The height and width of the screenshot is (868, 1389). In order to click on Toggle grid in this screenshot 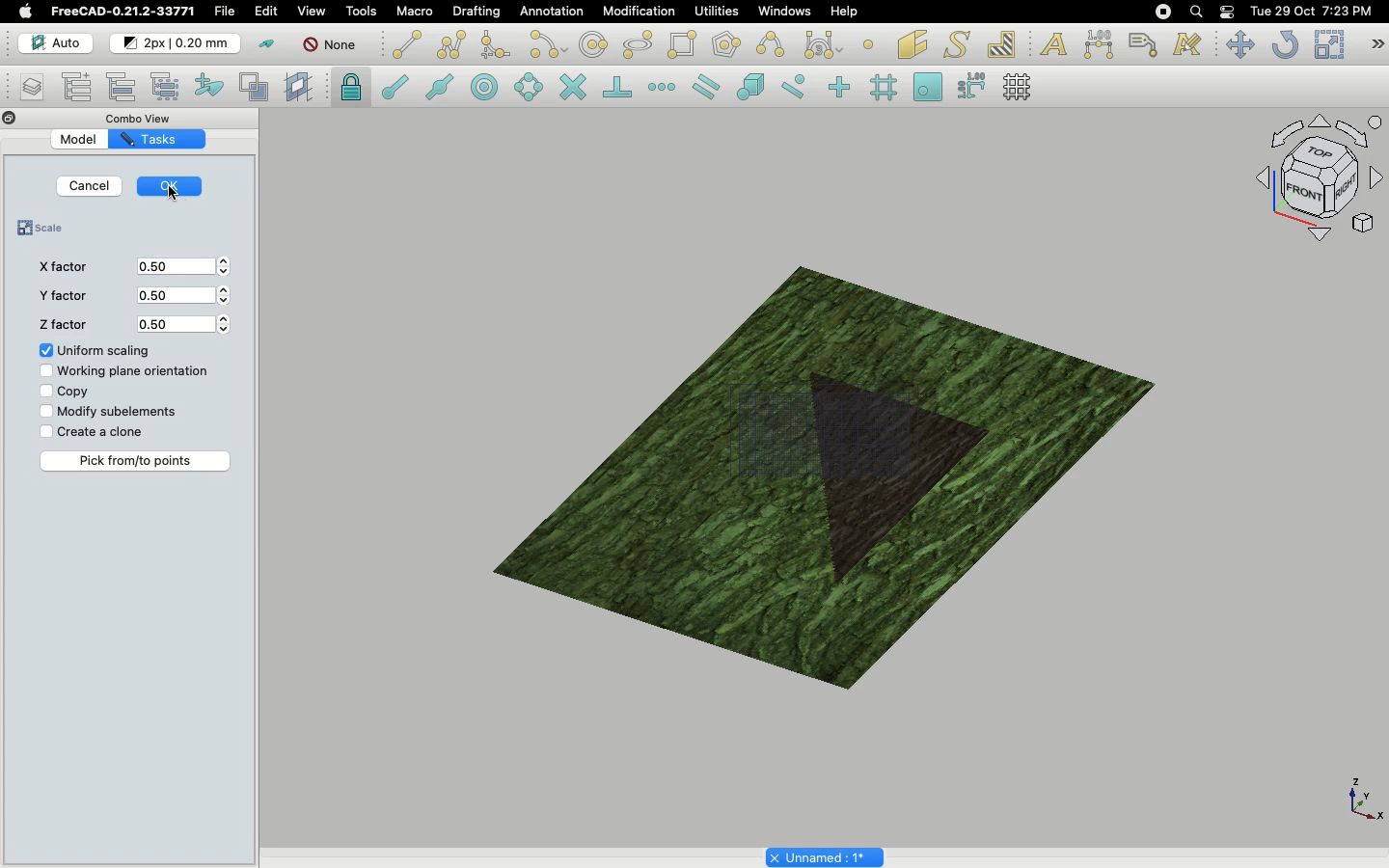, I will do `click(1023, 87)`.